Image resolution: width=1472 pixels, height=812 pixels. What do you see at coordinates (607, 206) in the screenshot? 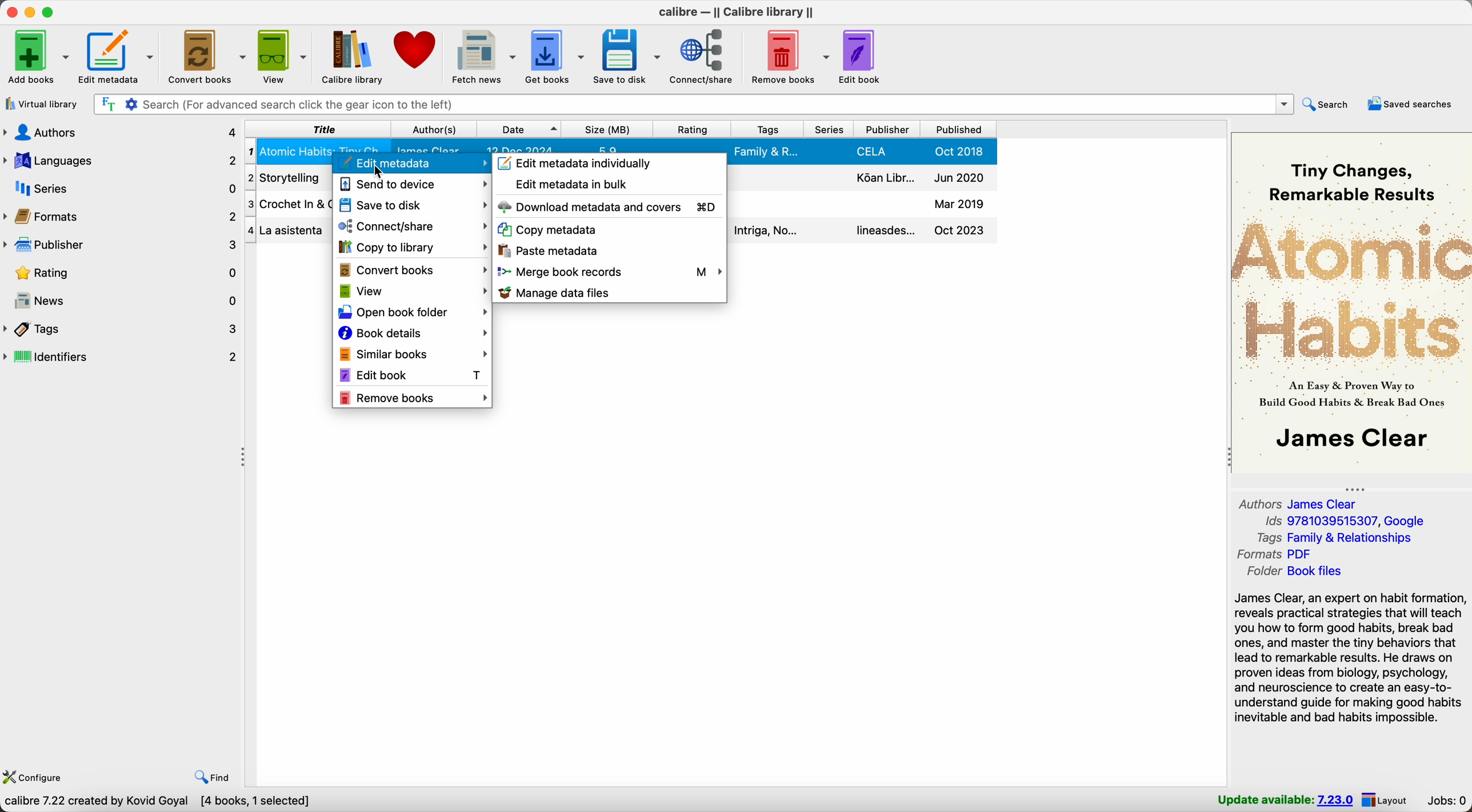
I see `download metadata and covers` at bounding box center [607, 206].